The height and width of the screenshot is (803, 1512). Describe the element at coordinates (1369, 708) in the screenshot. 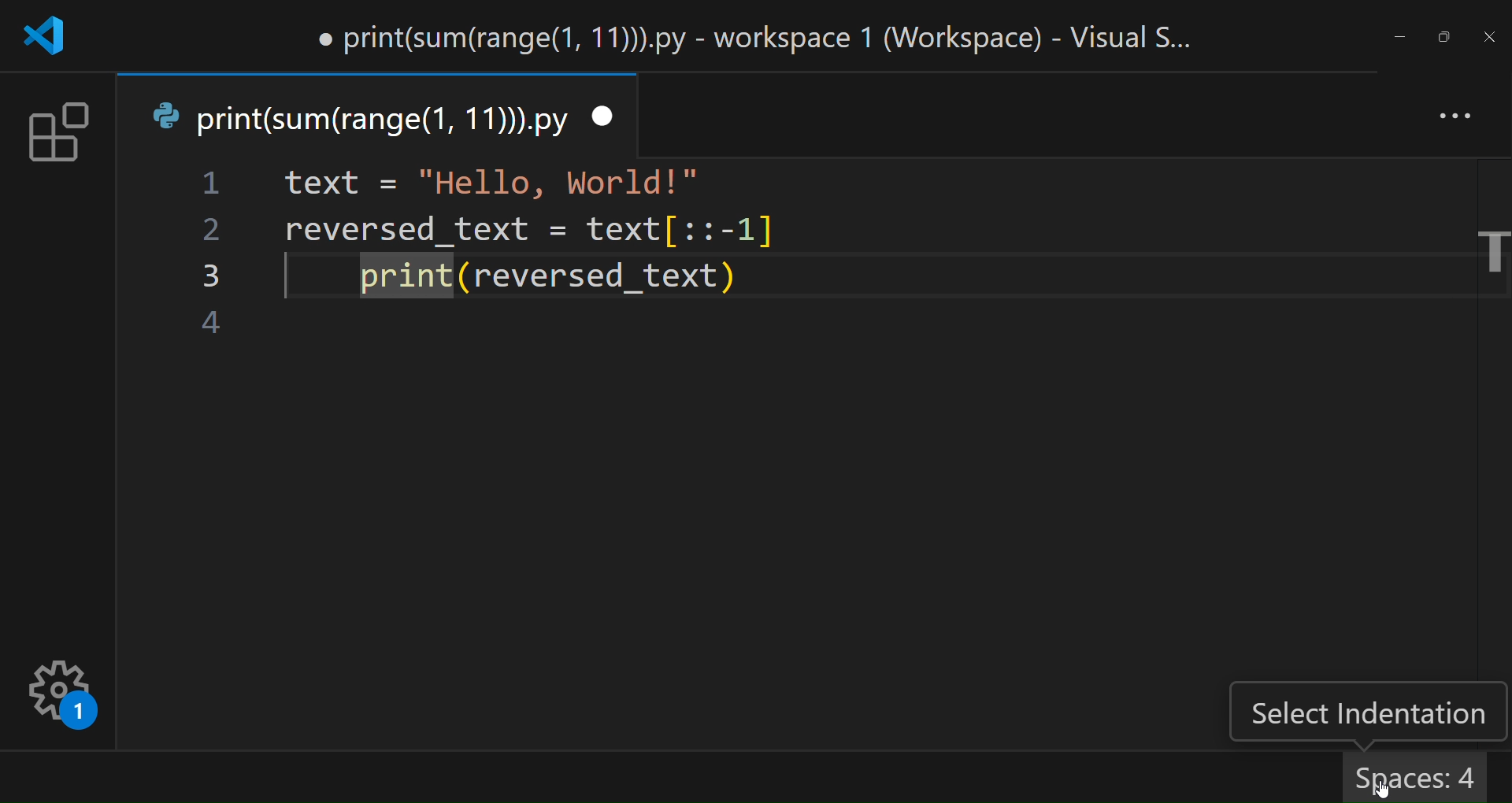

I see `select indentation` at that location.